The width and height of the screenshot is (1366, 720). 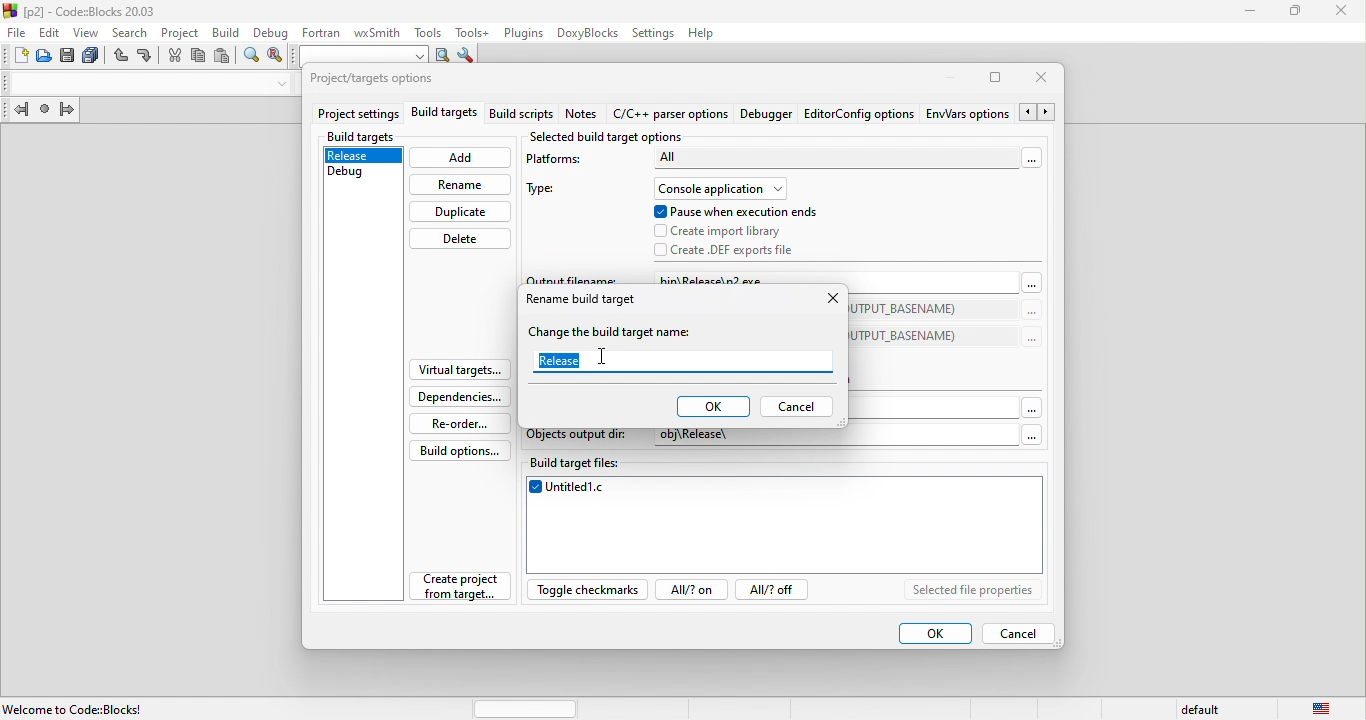 What do you see at coordinates (269, 31) in the screenshot?
I see `debug` at bounding box center [269, 31].